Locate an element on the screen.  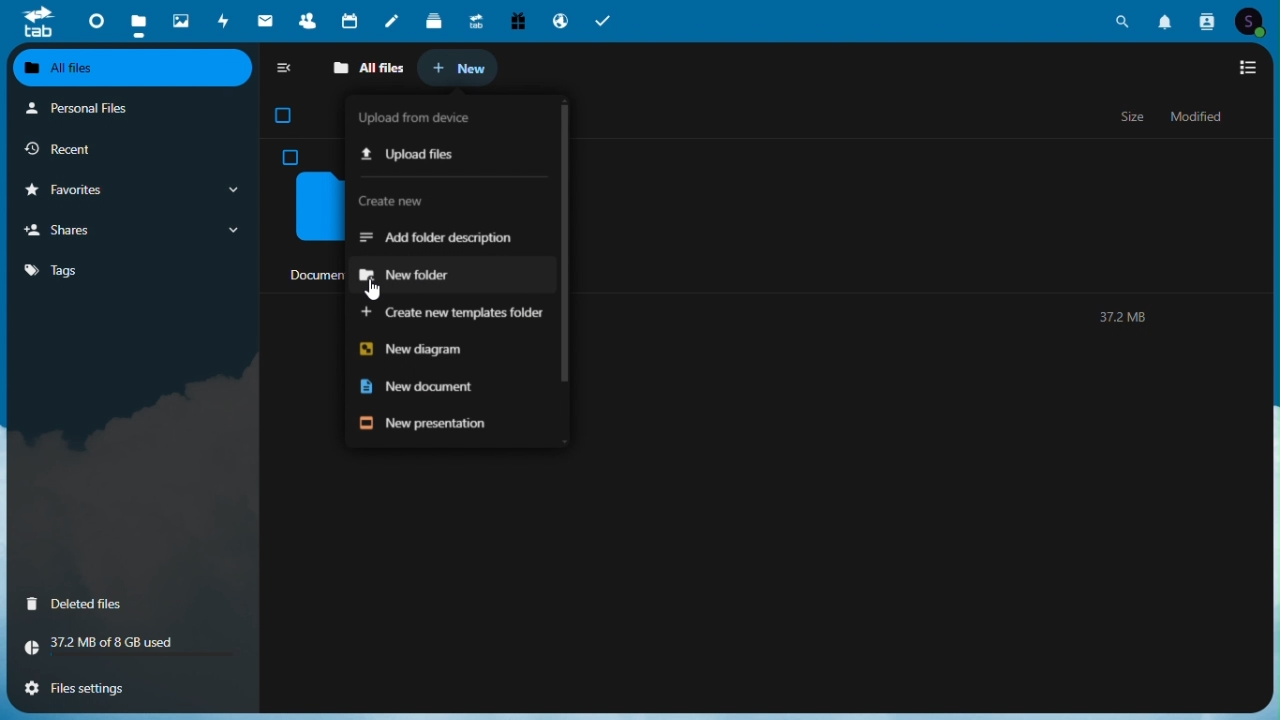
New document is located at coordinates (423, 387).